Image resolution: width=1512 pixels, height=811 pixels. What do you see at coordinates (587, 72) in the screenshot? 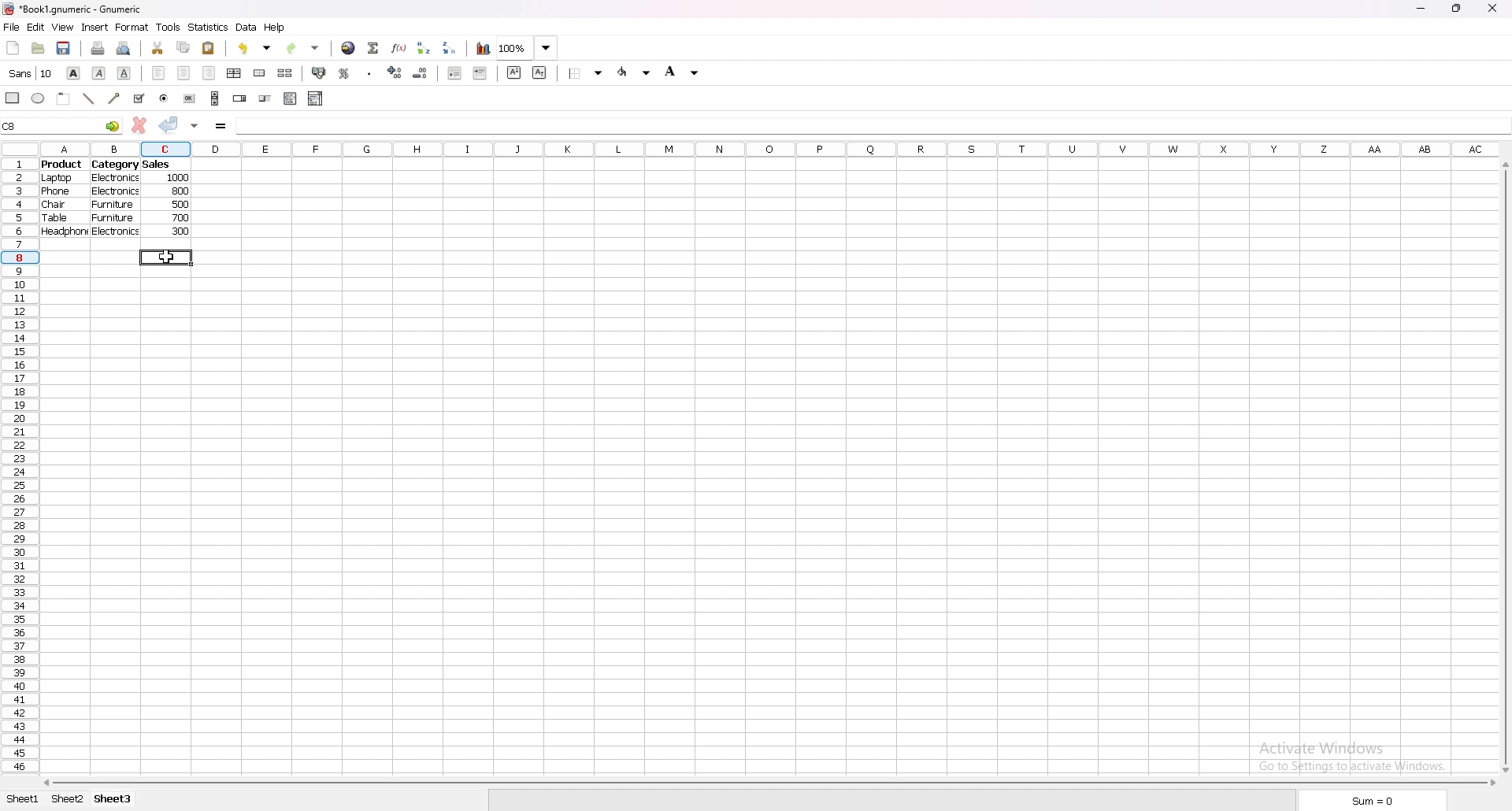
I see `border` at bounding box center [587, 72].